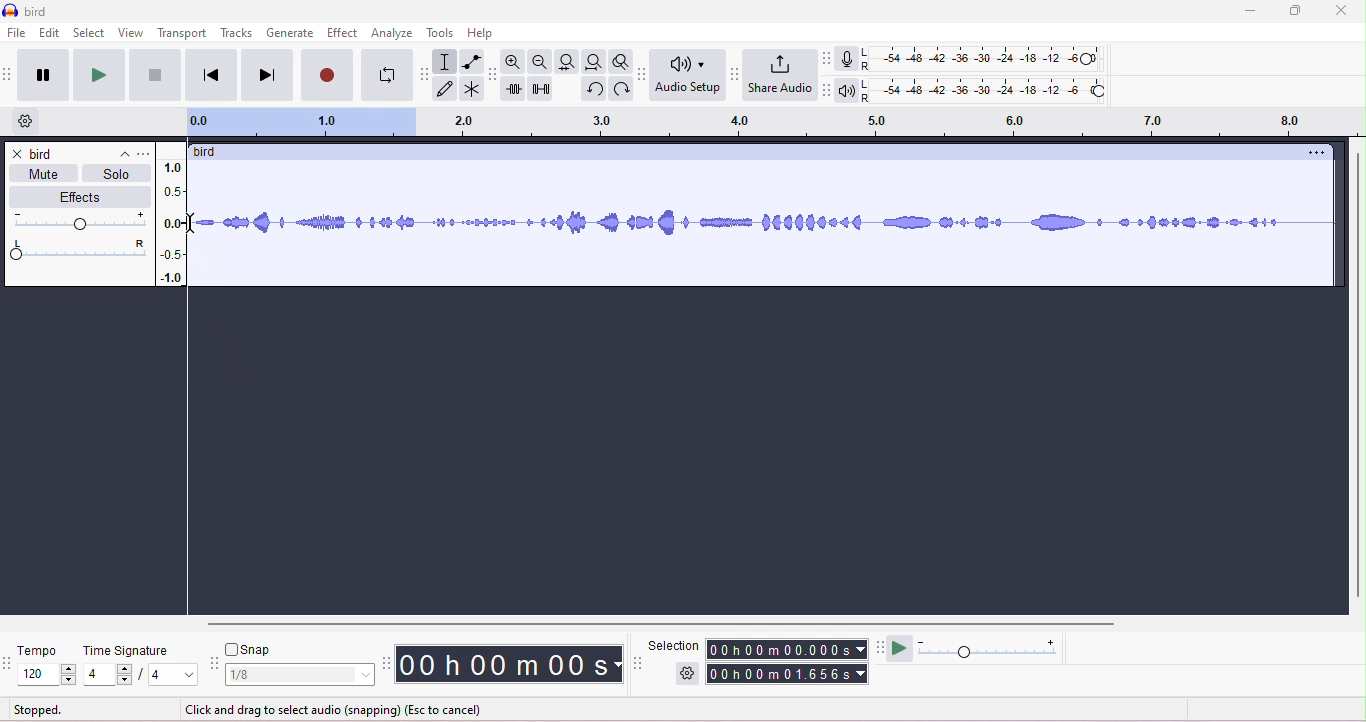  Describe the element at coordinates (249, 648) in the screenshot. I see `snap` at that location.